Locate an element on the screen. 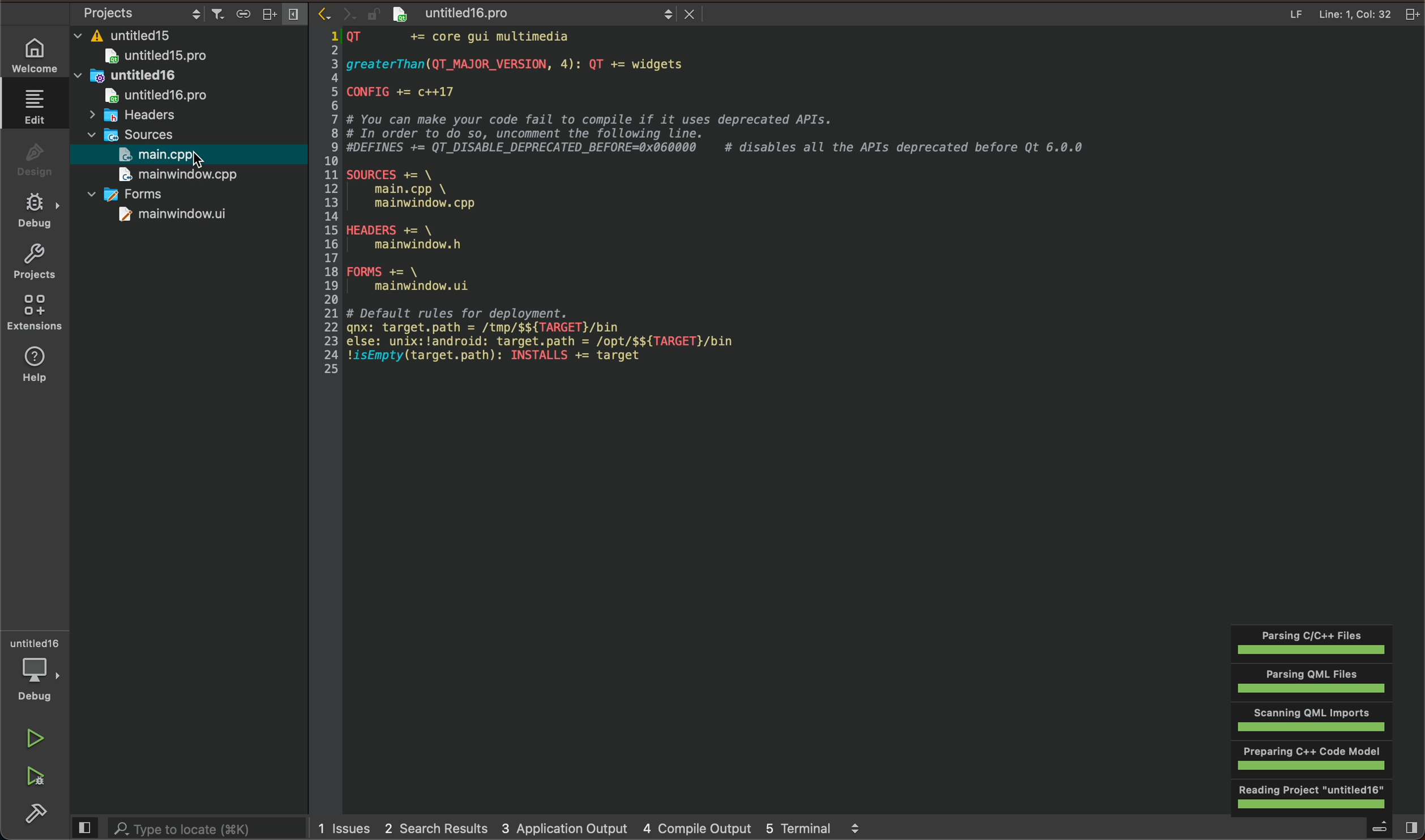 This screenshot has width=1425, height=840. mainwindow is located at coordinates (169, 217).